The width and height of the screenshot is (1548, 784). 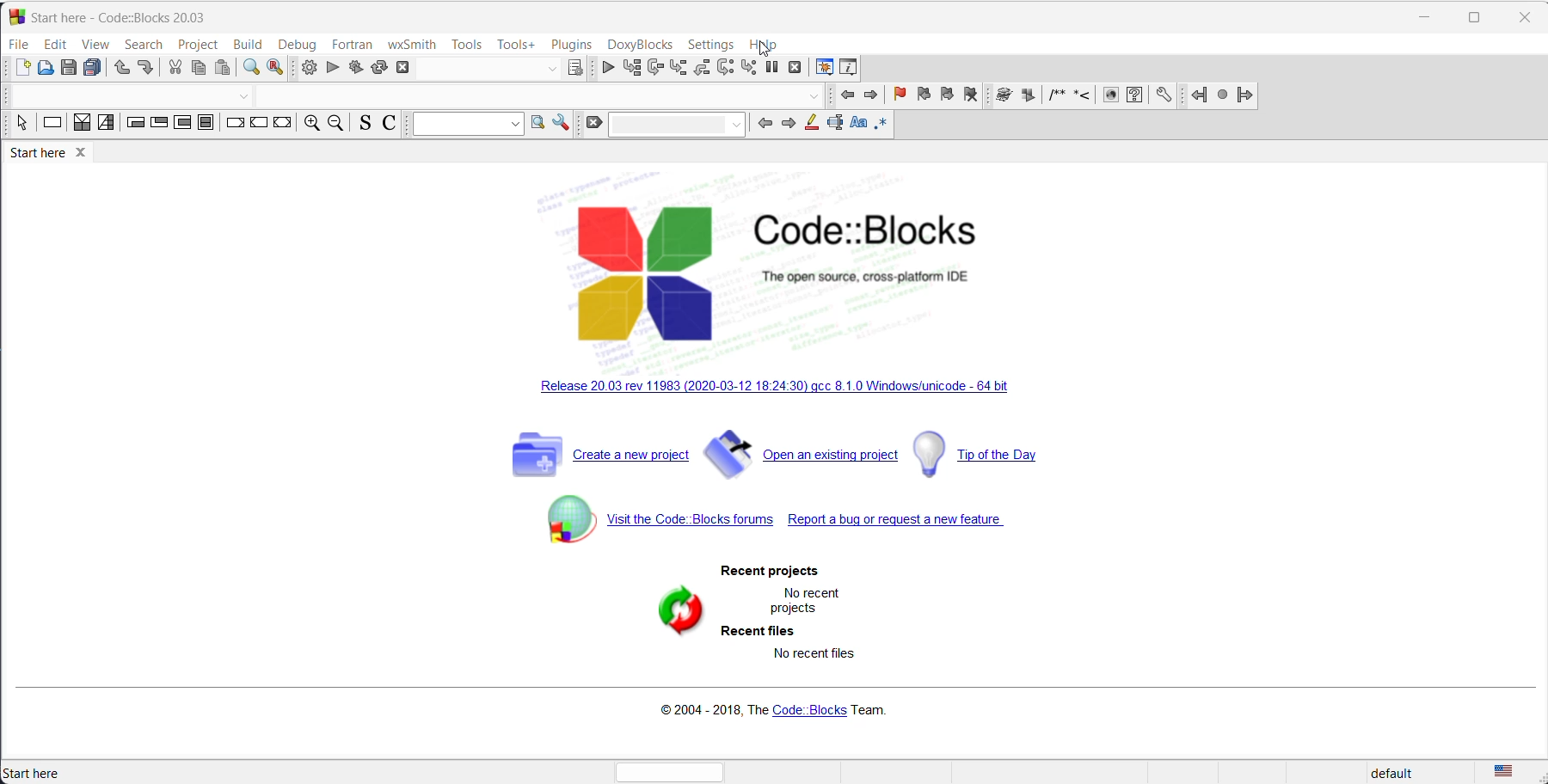 What do you see at coordinates (464, 124) in the screenshot?
I see `text dropdown` at bounding box center [464, 124].